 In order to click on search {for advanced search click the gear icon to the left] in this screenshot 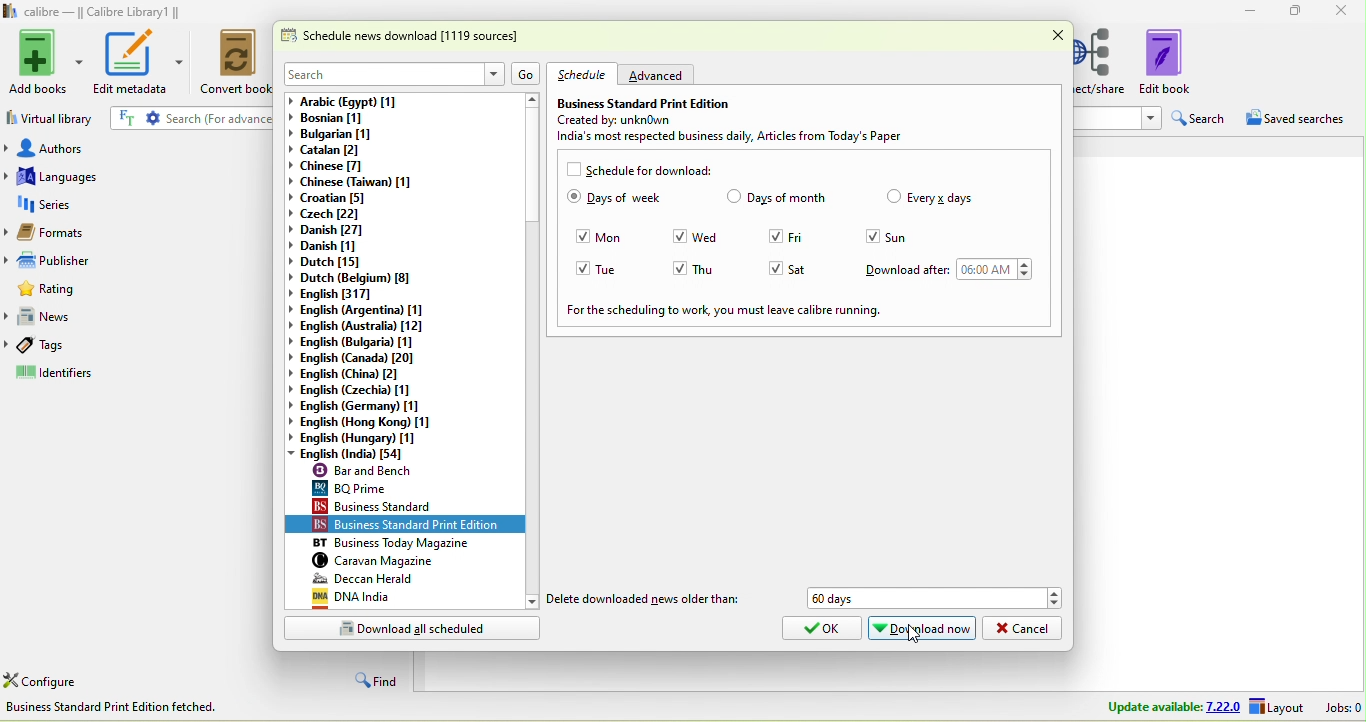, I will do `click(198, 117)`.